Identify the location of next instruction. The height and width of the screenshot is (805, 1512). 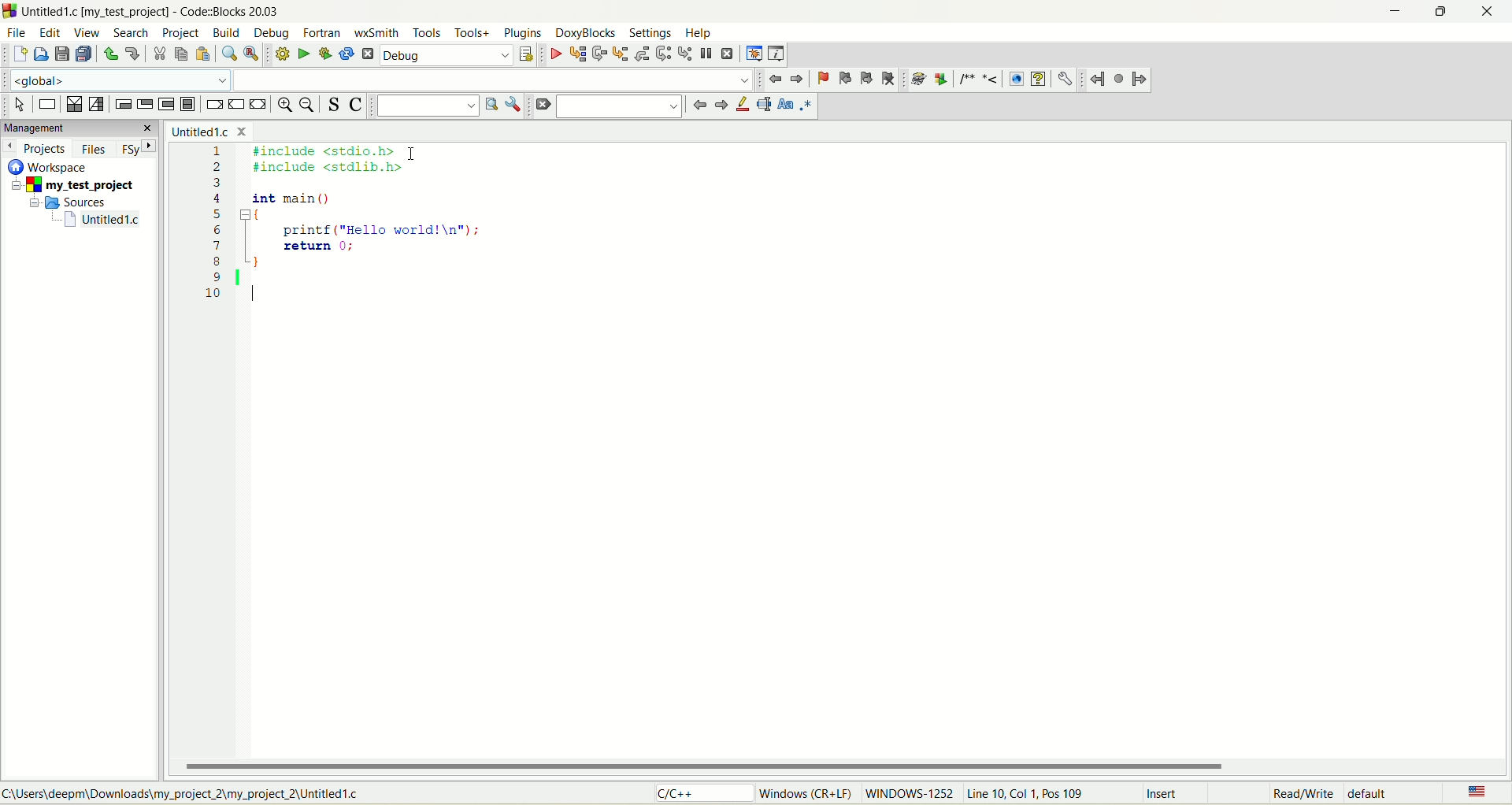
(663, 54).